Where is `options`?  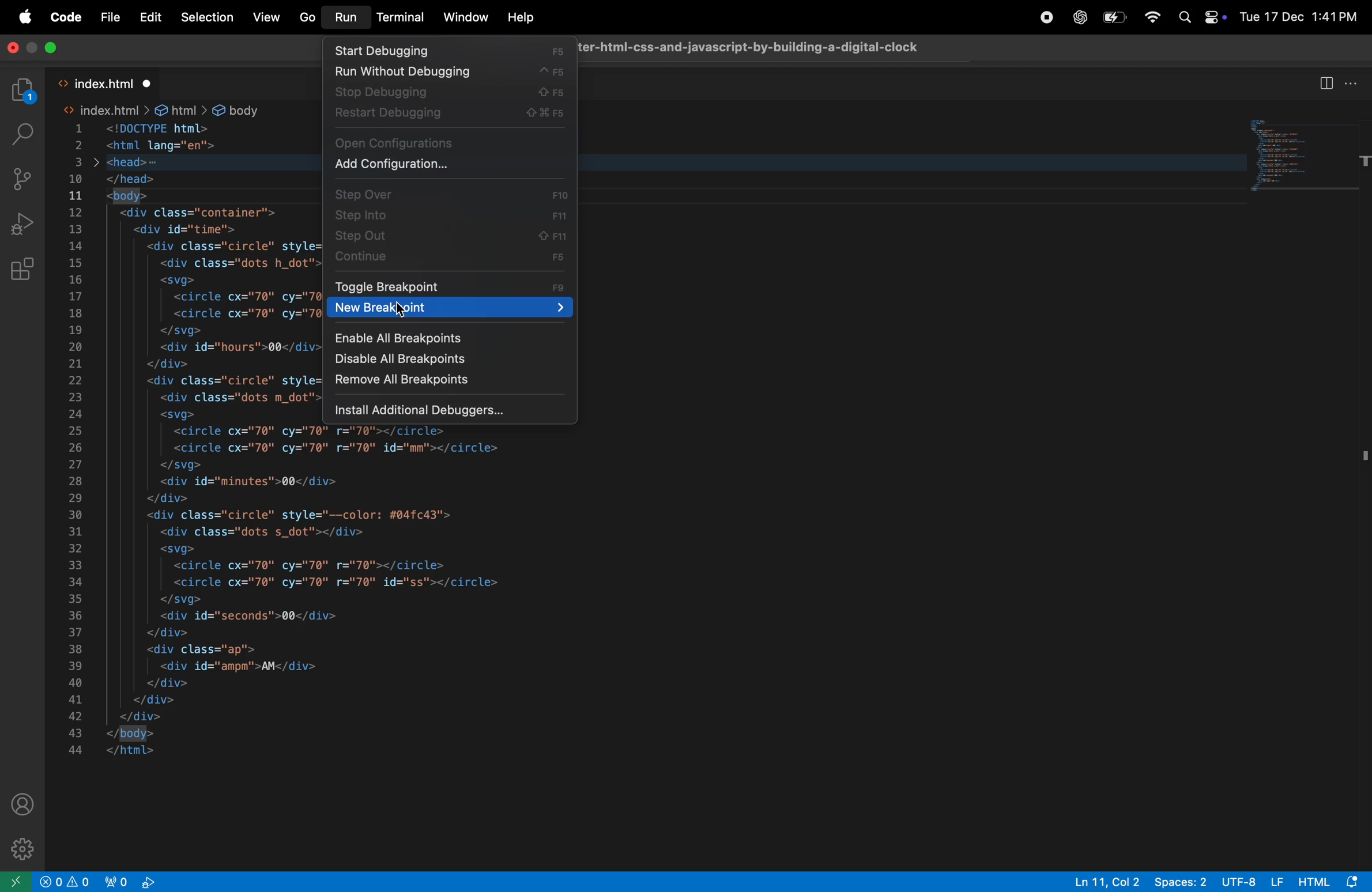 options is located at coordinates (1354, 82).